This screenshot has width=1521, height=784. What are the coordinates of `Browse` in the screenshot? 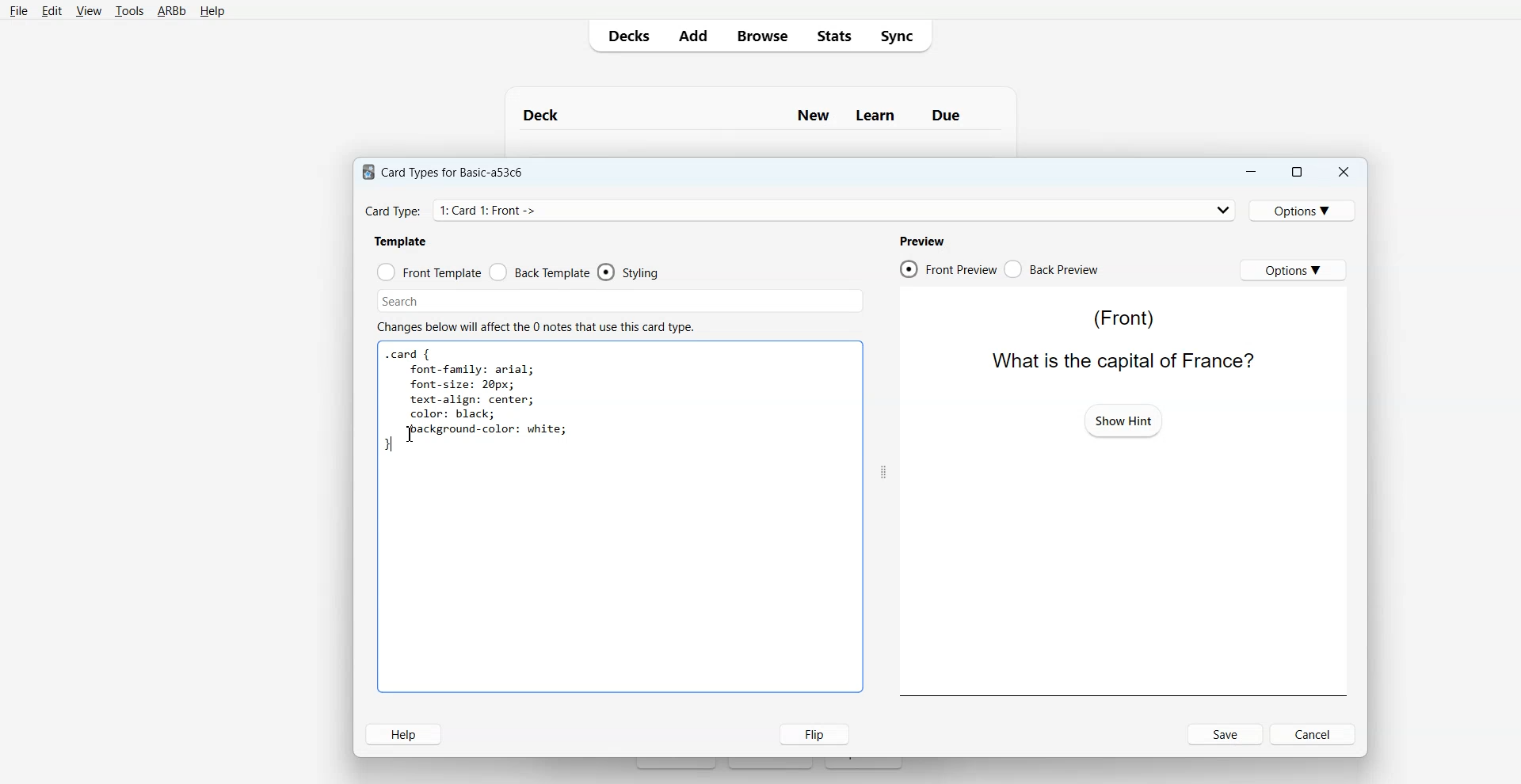 It's located at (761, 35).